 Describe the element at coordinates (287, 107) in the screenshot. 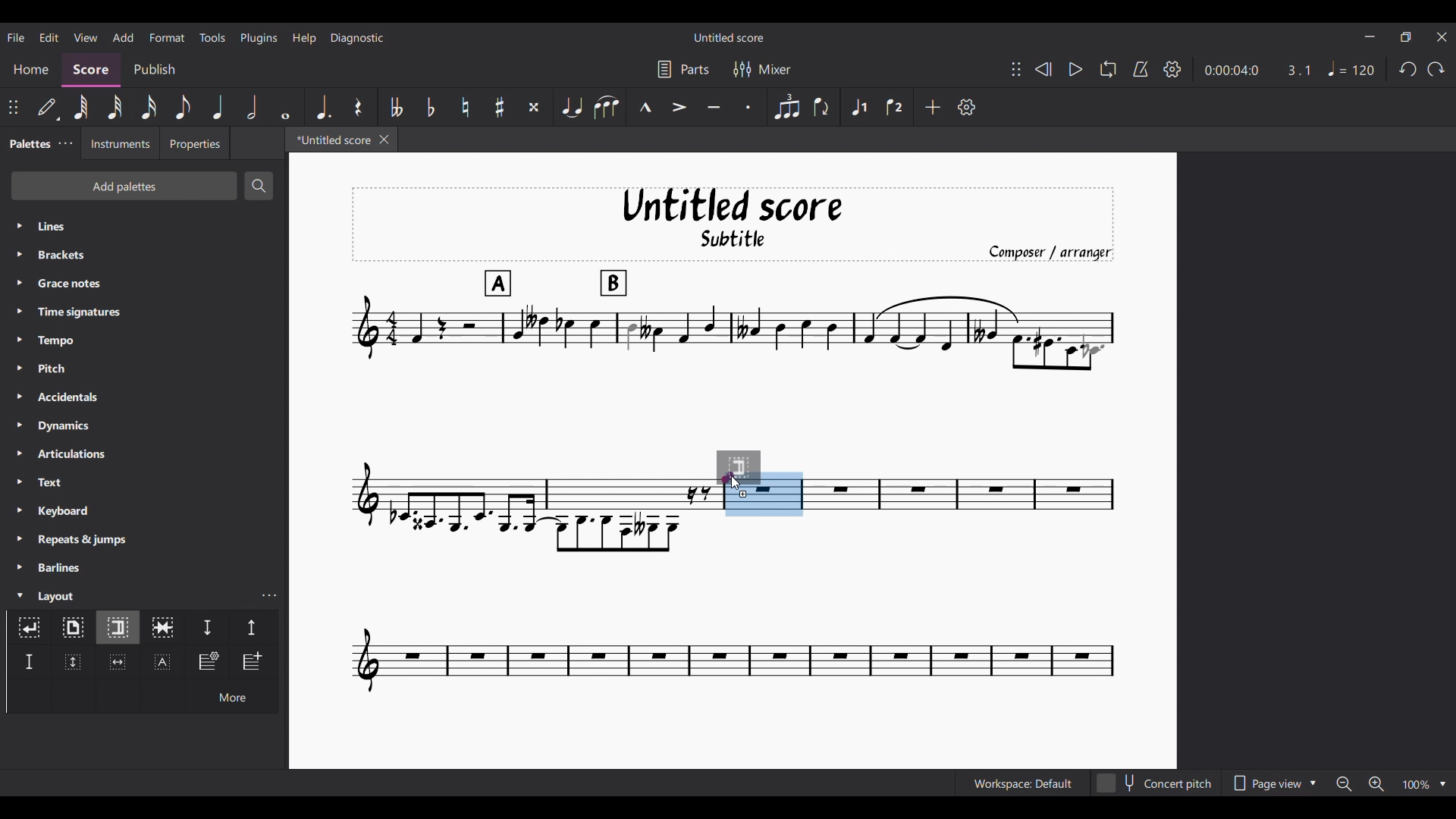

I see `Whole note` at that location.